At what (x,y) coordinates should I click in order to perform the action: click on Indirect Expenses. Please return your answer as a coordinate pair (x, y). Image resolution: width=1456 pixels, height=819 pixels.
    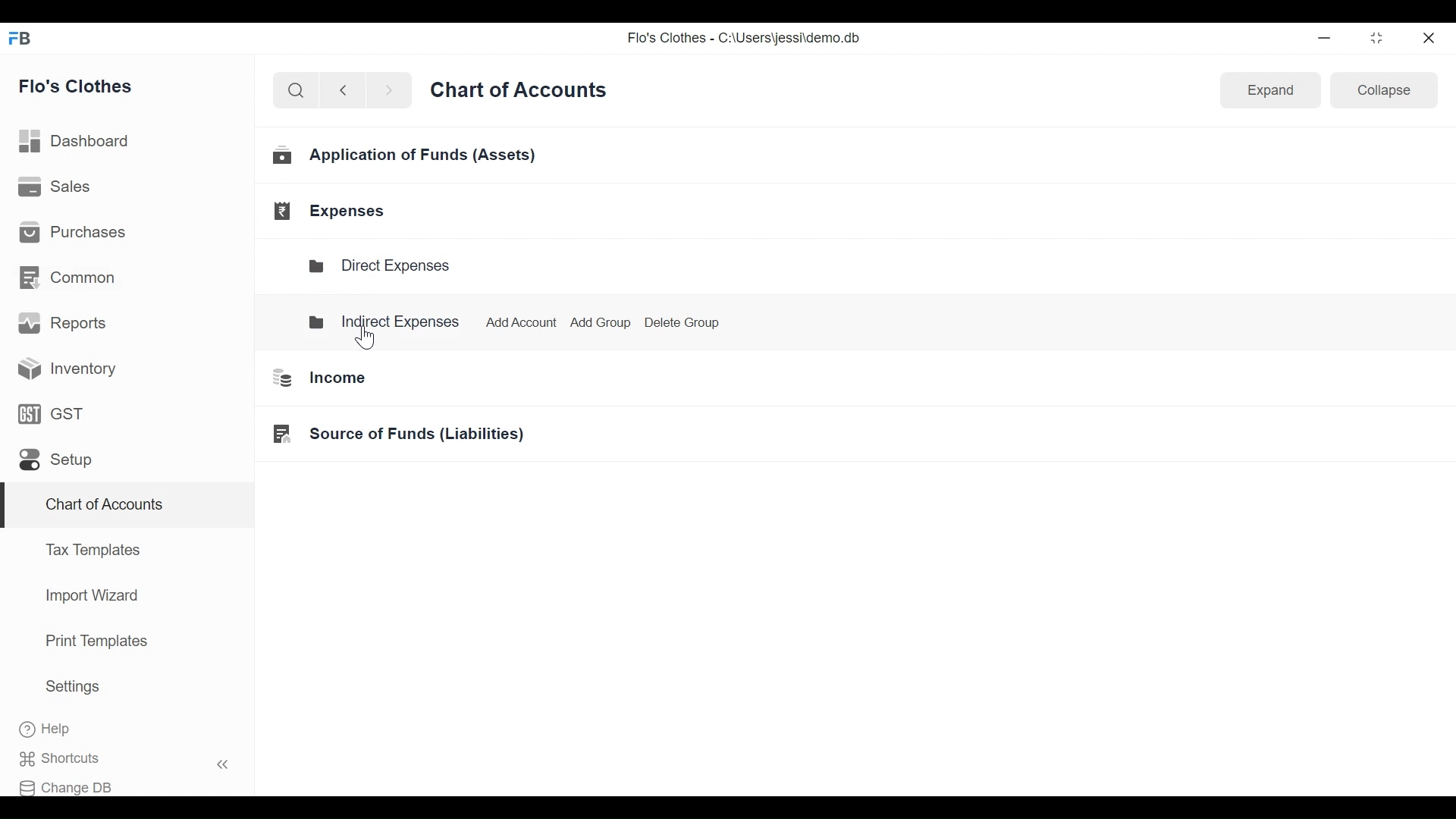
    Looking at the image, I should click on (384, 320).